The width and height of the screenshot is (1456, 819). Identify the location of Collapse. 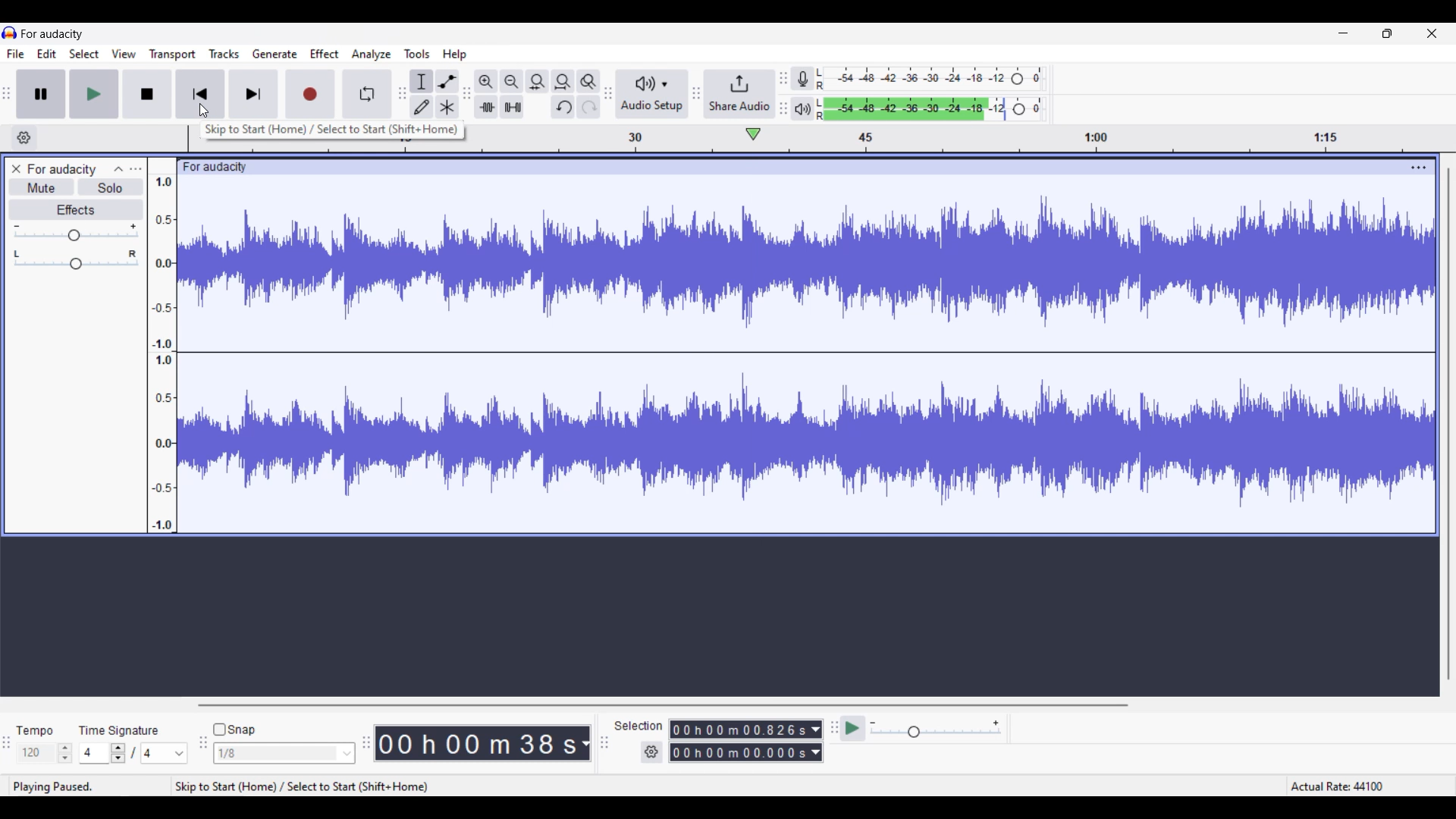
(119, 170).